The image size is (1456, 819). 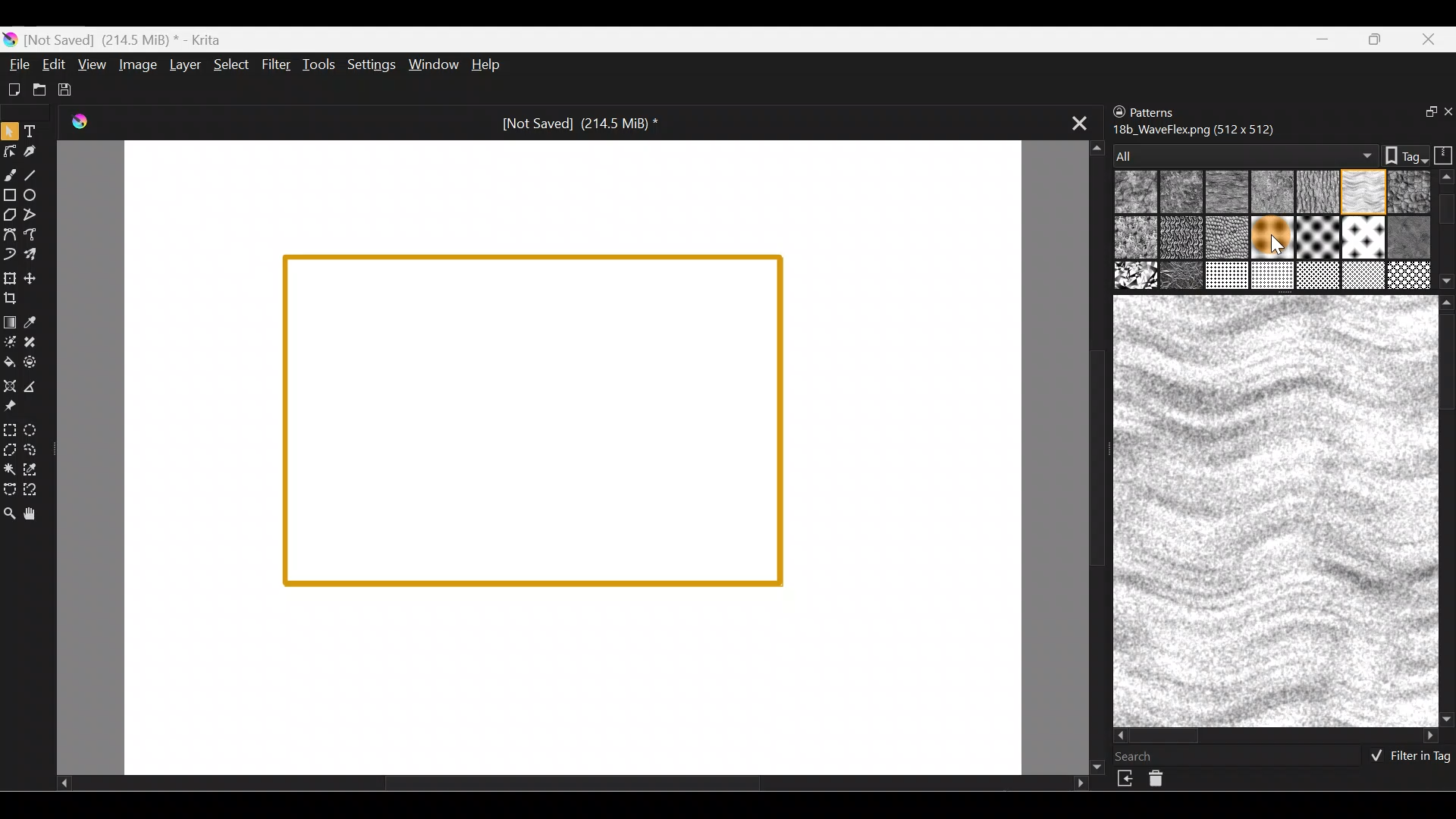 What do you see at coordinates (1367, 237) in the screenshot?
I see `12 drawed_vertical.png` at bounding box center [1367, 237].